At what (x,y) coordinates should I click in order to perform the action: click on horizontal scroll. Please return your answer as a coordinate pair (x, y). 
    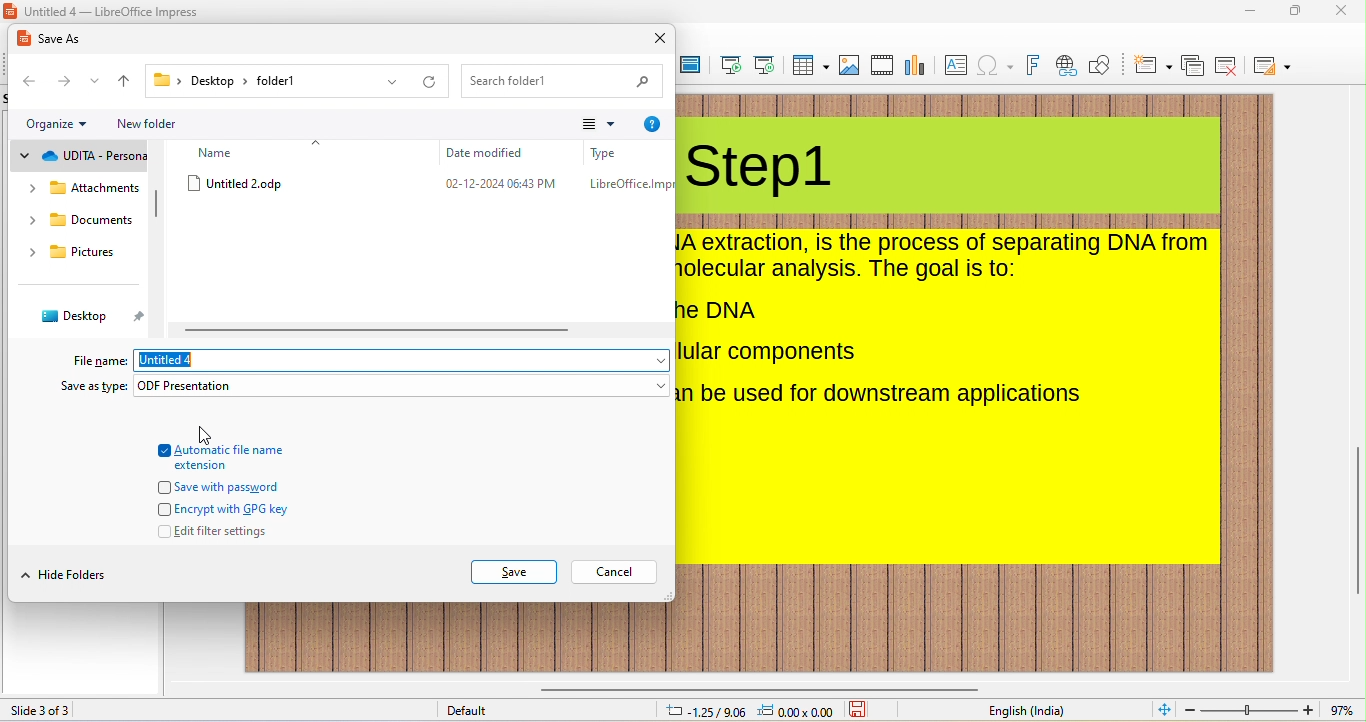
    Looking at the image, I should click on (387, 329).